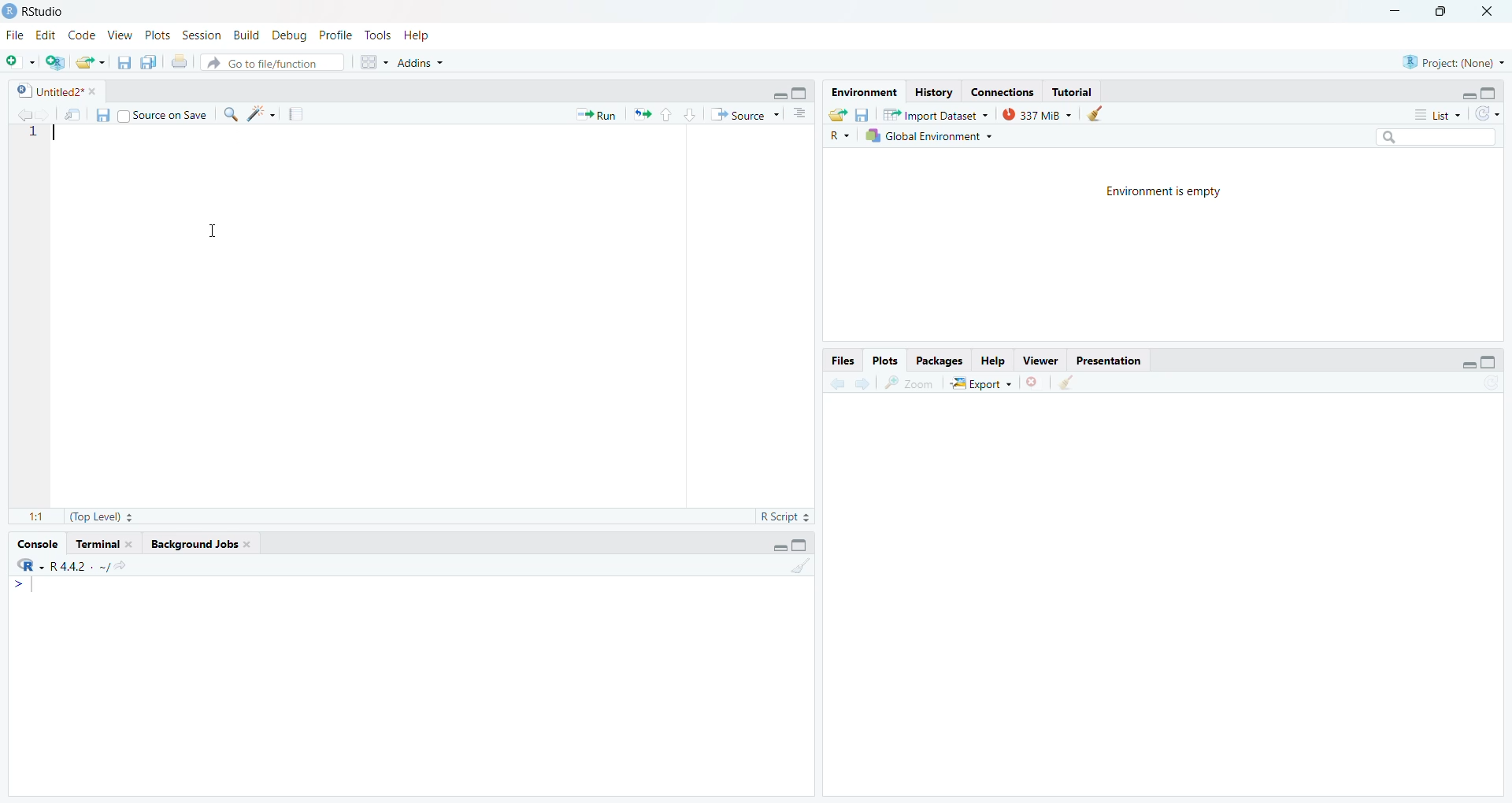  I want to click on Files, so click(840, 361).